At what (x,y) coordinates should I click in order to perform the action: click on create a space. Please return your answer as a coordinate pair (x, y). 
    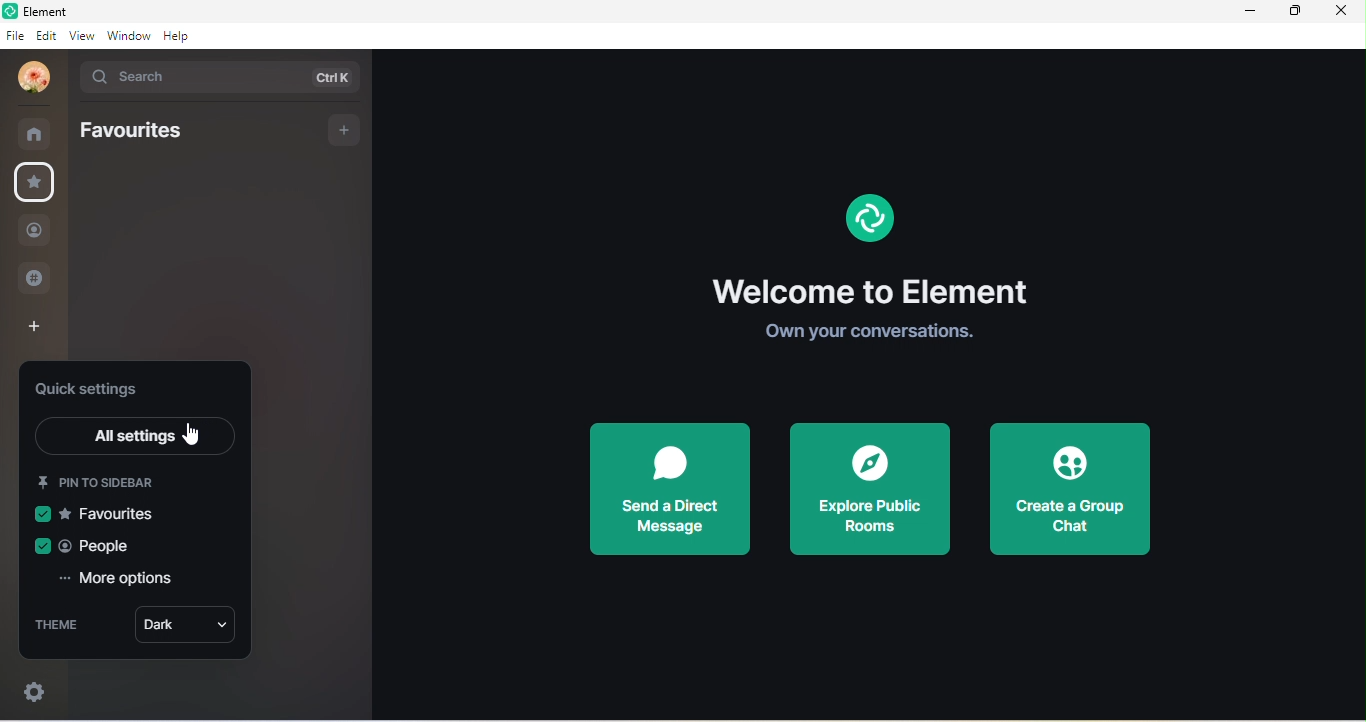
    Looking at the image, I should click on (42, 324).